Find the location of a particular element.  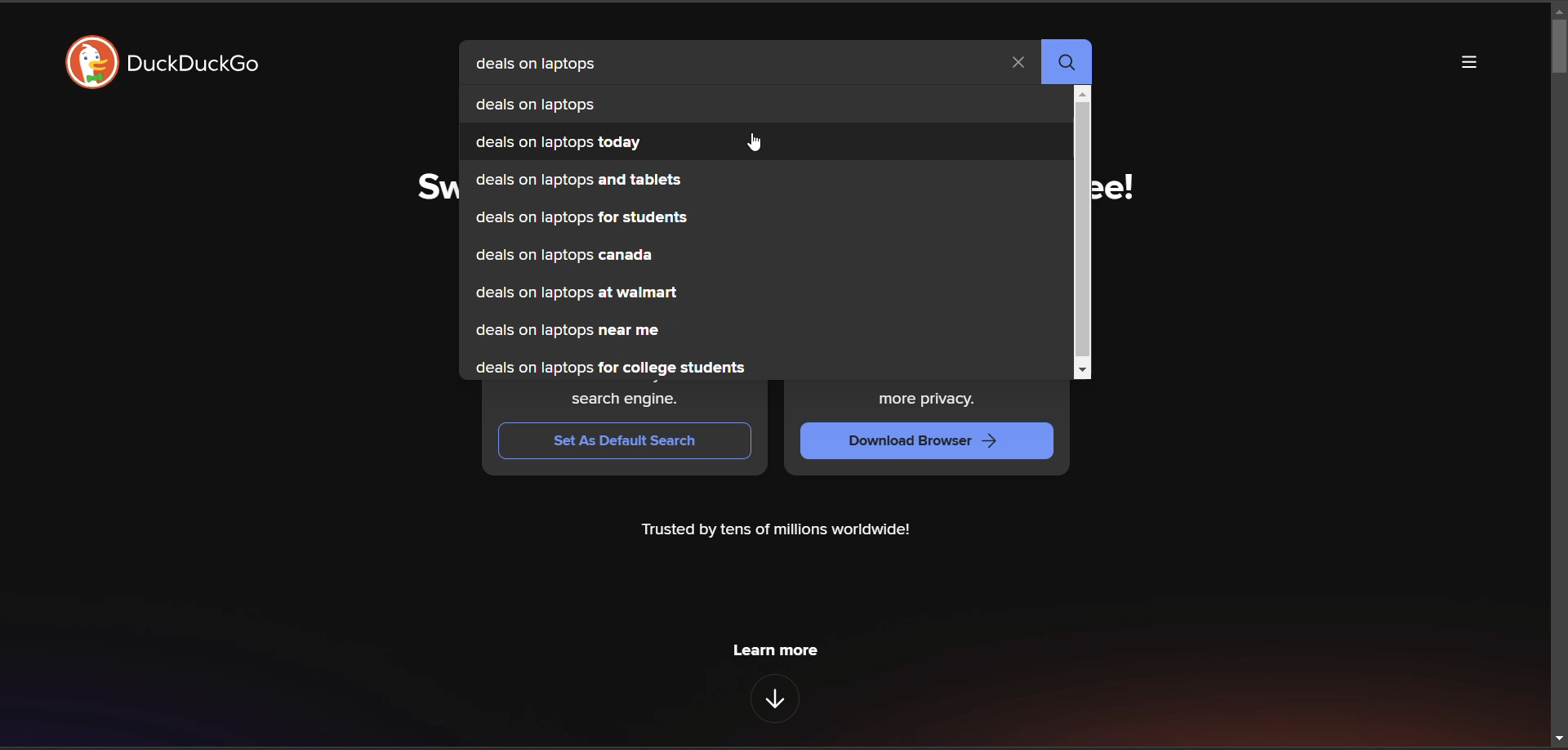

cursor is located at coordinates (757, 149).